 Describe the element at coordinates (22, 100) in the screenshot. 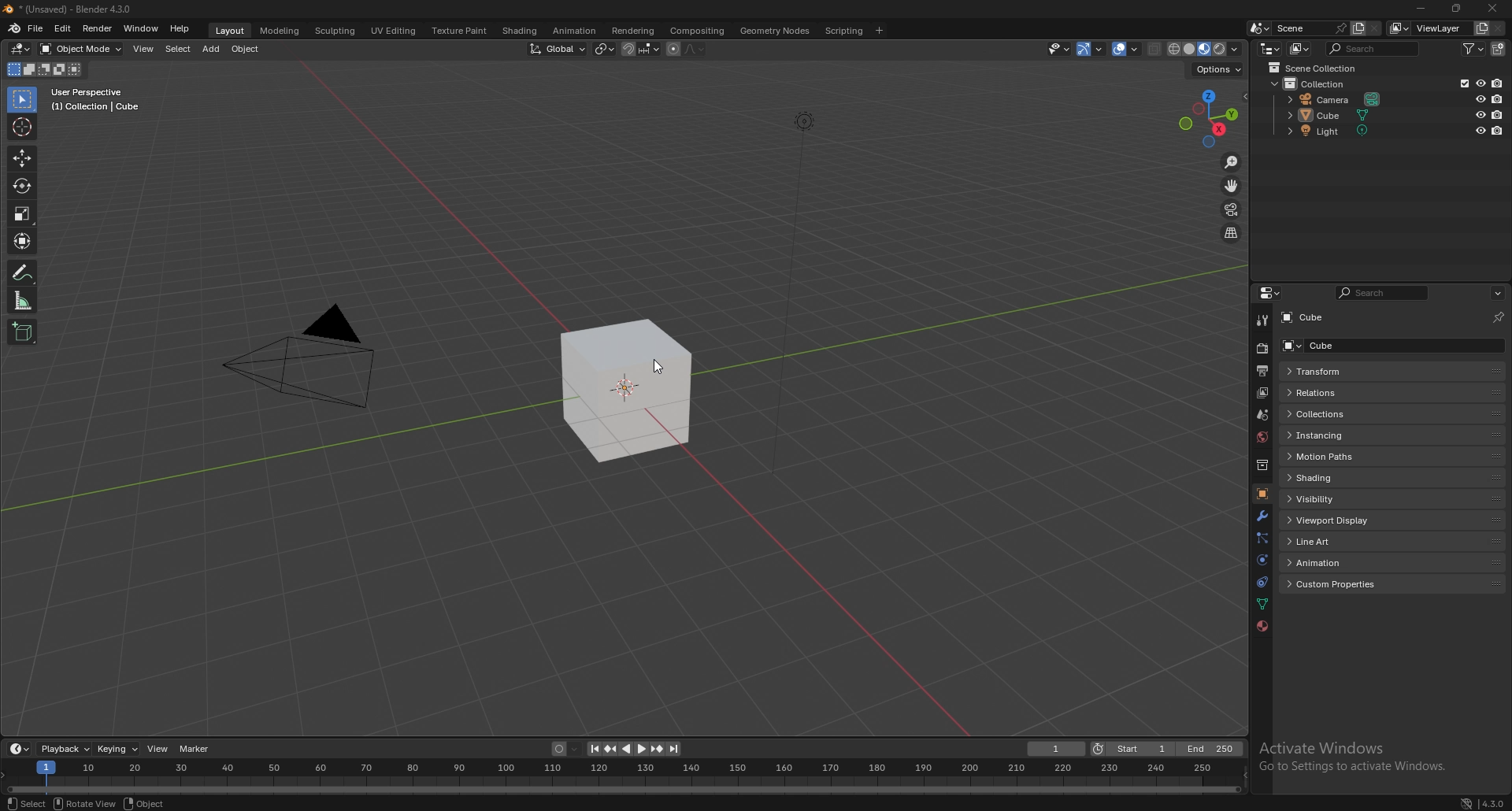

I see `selector` at that location.